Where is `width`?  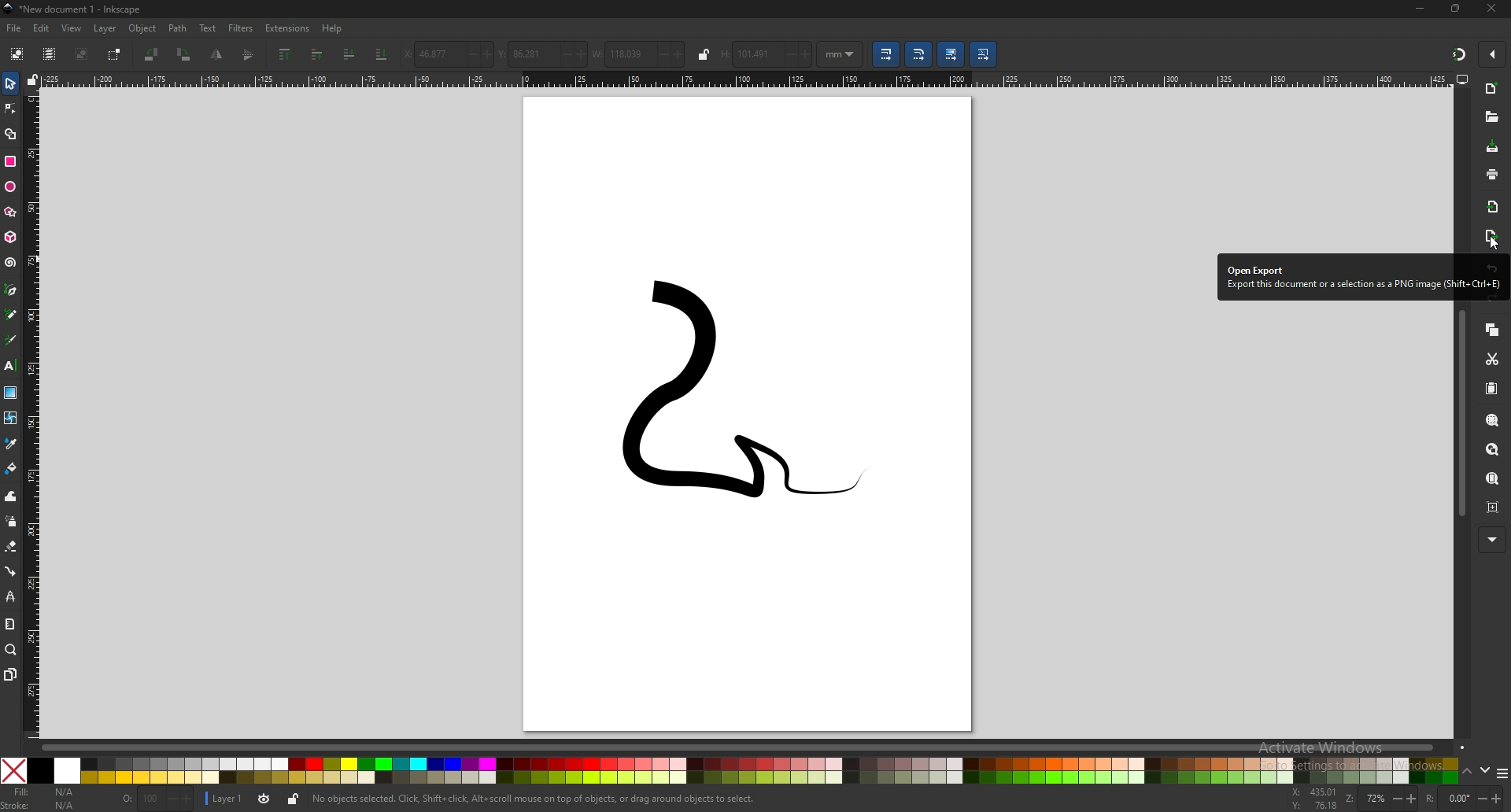 width is located at coordinates (639, 53).